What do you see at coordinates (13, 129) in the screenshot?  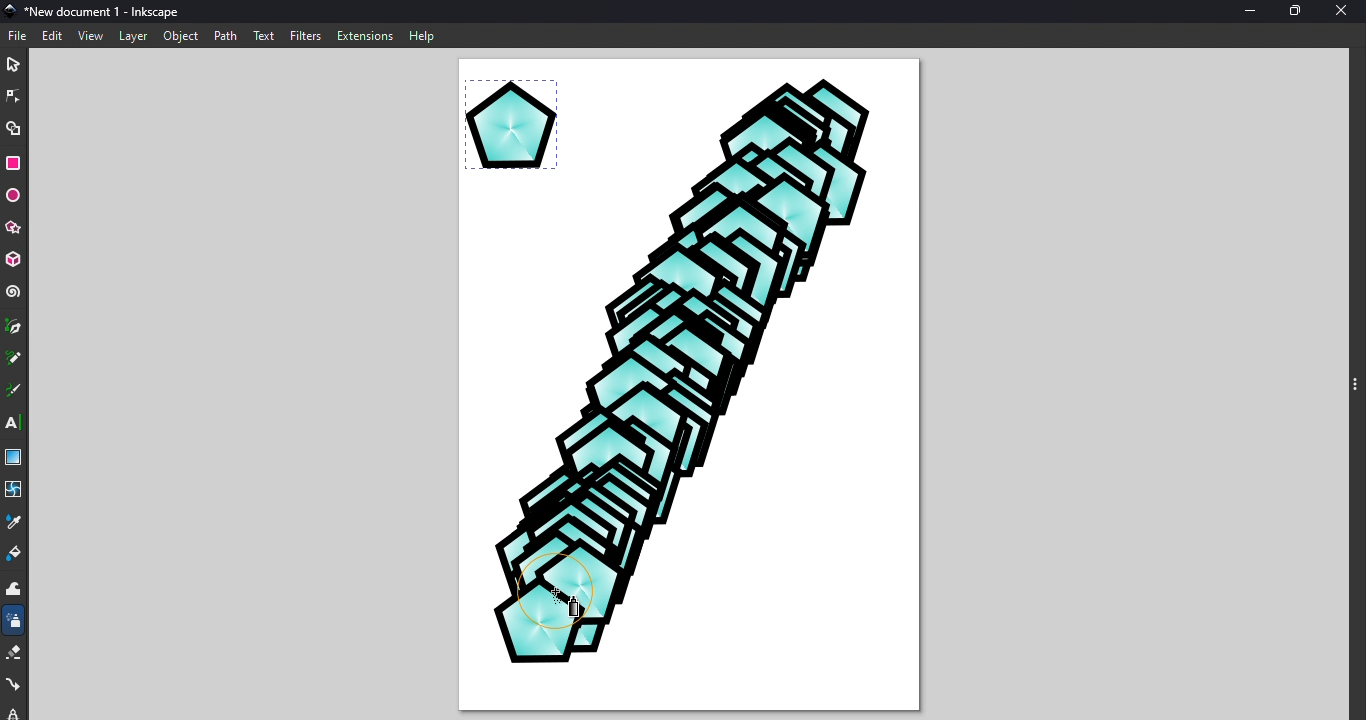 I see `Shape builder tool` at bounding box center [13, 129].